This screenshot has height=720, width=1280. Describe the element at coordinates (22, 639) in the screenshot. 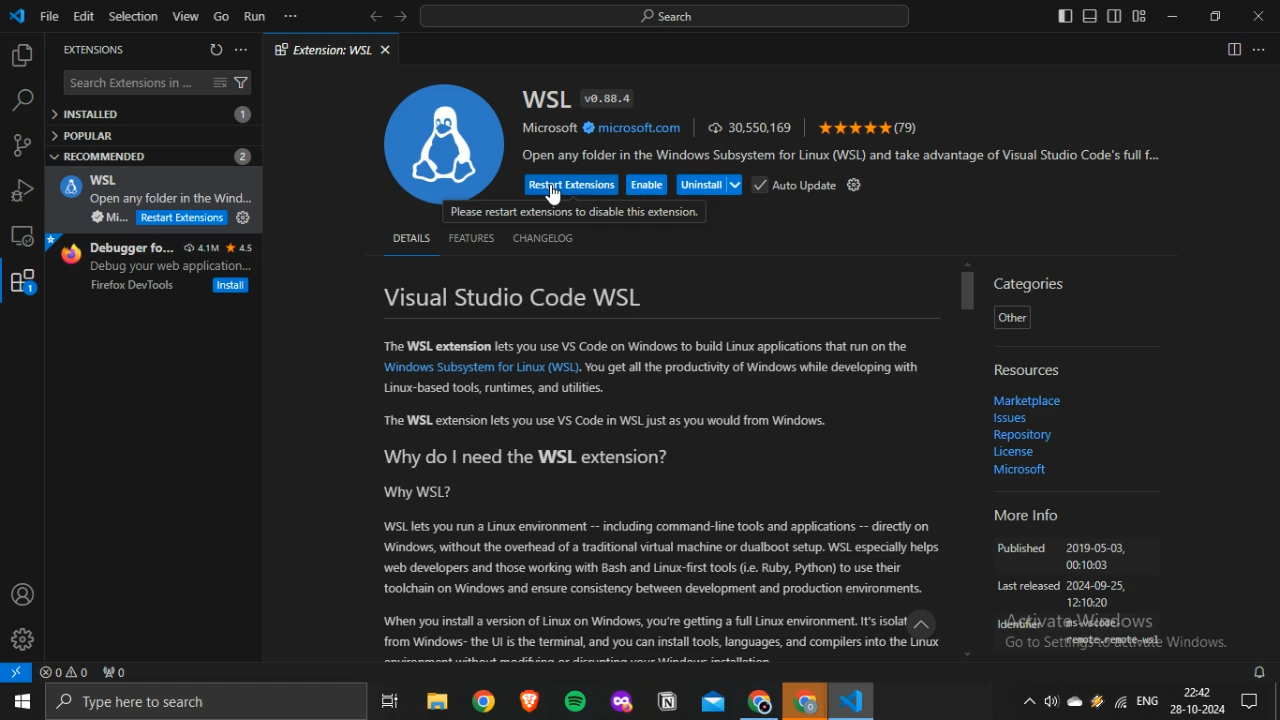

I see `manage` at that location.